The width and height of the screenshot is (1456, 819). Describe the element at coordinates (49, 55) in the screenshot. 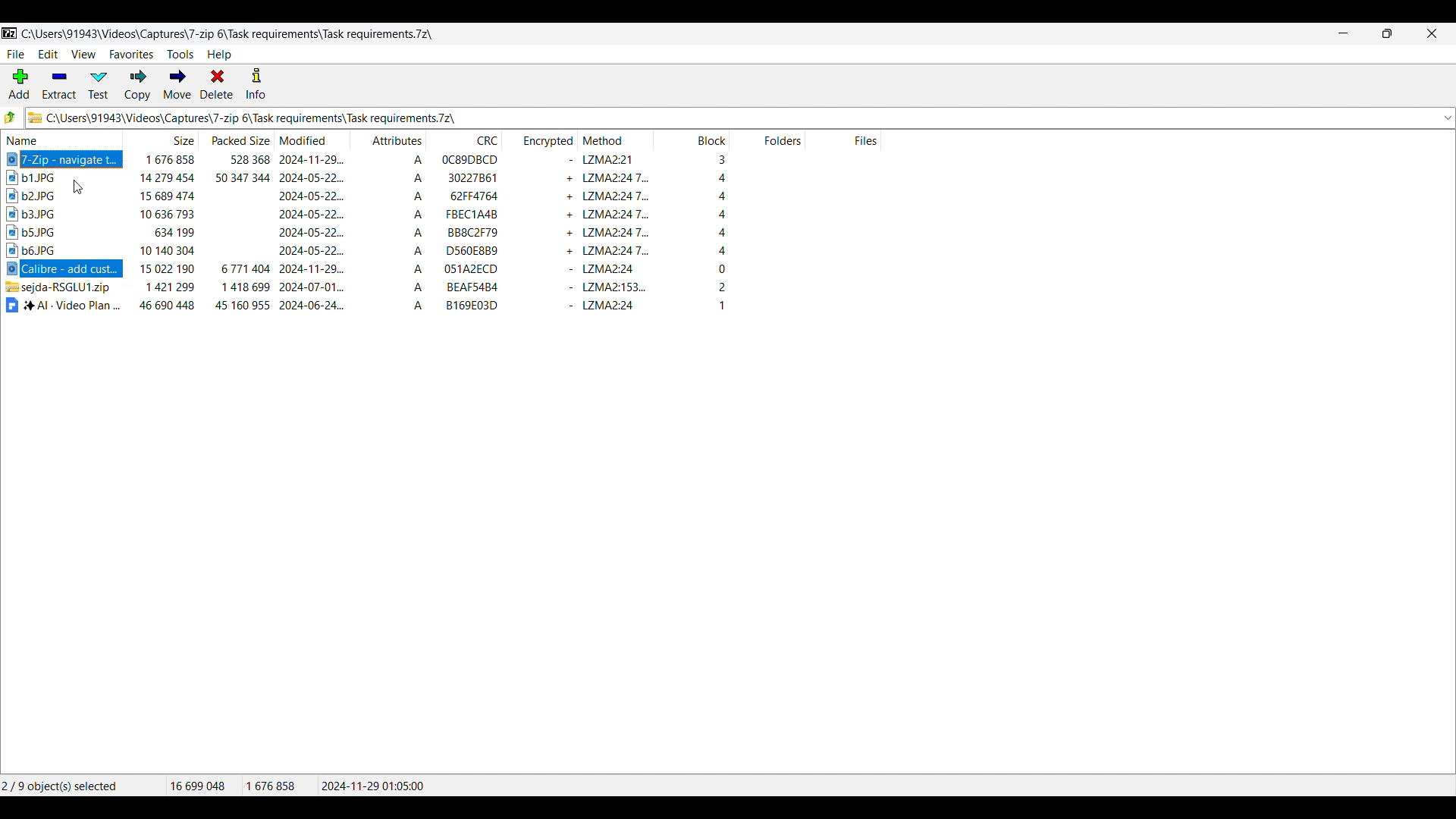

I see `Edit menu` at that location.